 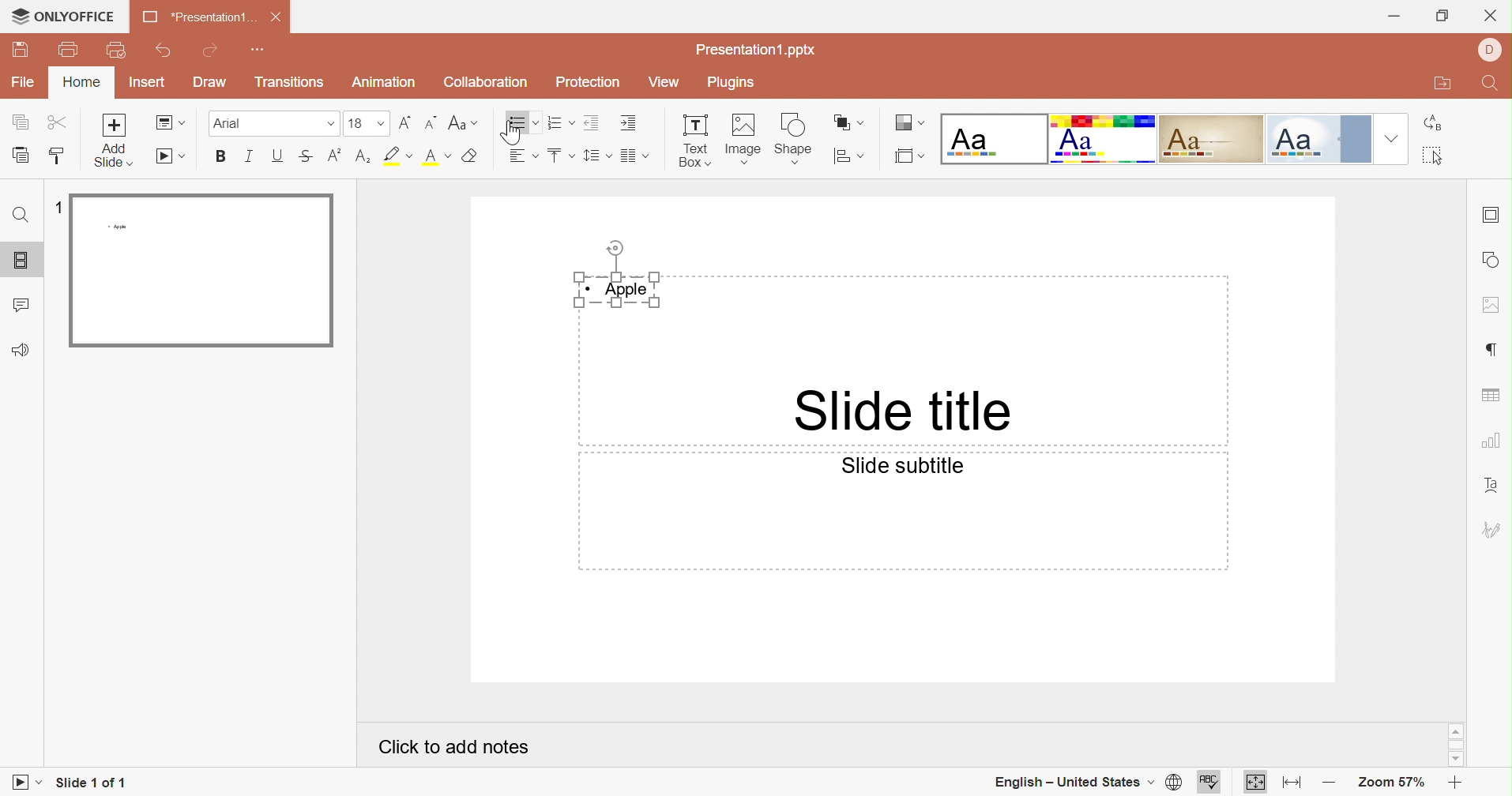 What do you see at coordinates (465, 125) in the screenshot?
I see `Change case` at bounding box center [465, 125].